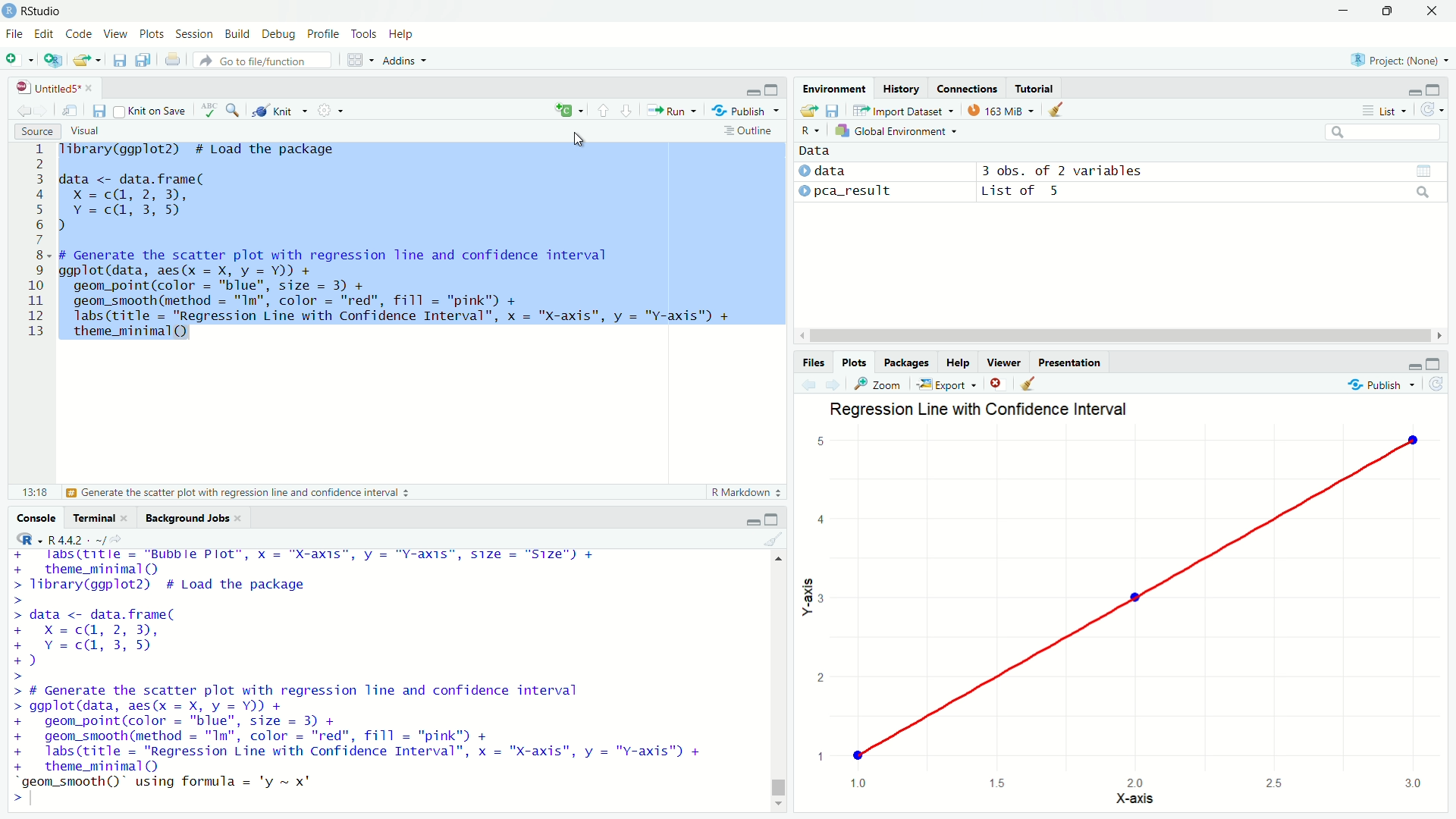 The image size is (1456, 819). What do you see at coordinates (902, 87) in the screenshot?
I see `History` at bounding box center [902, 87].